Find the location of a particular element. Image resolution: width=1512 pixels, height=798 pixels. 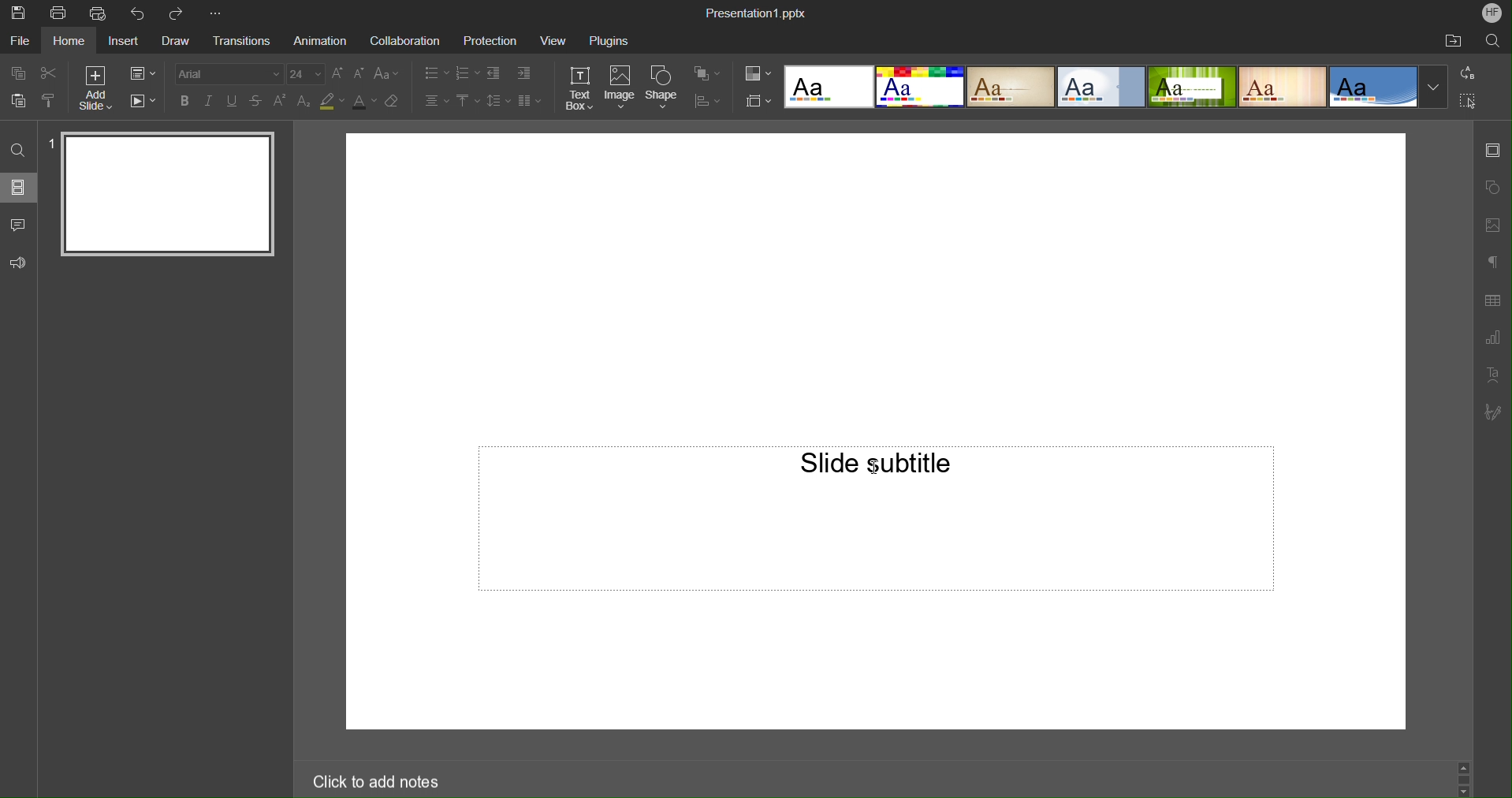

Table Settings is located at coordinates (1492, 300).